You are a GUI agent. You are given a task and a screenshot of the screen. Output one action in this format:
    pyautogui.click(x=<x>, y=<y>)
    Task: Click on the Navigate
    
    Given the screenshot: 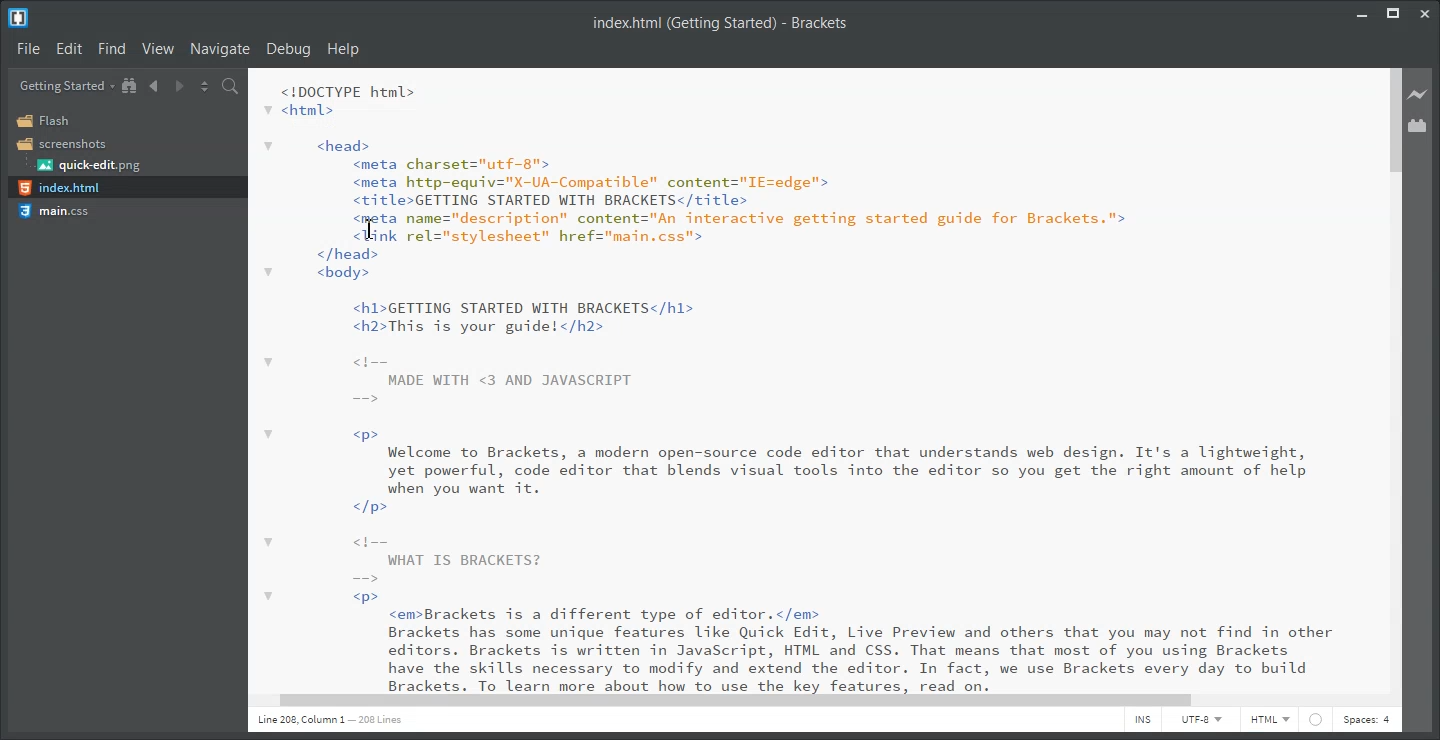 What is the action you would take?
    pyautogui.click(x=221, y=49)
    